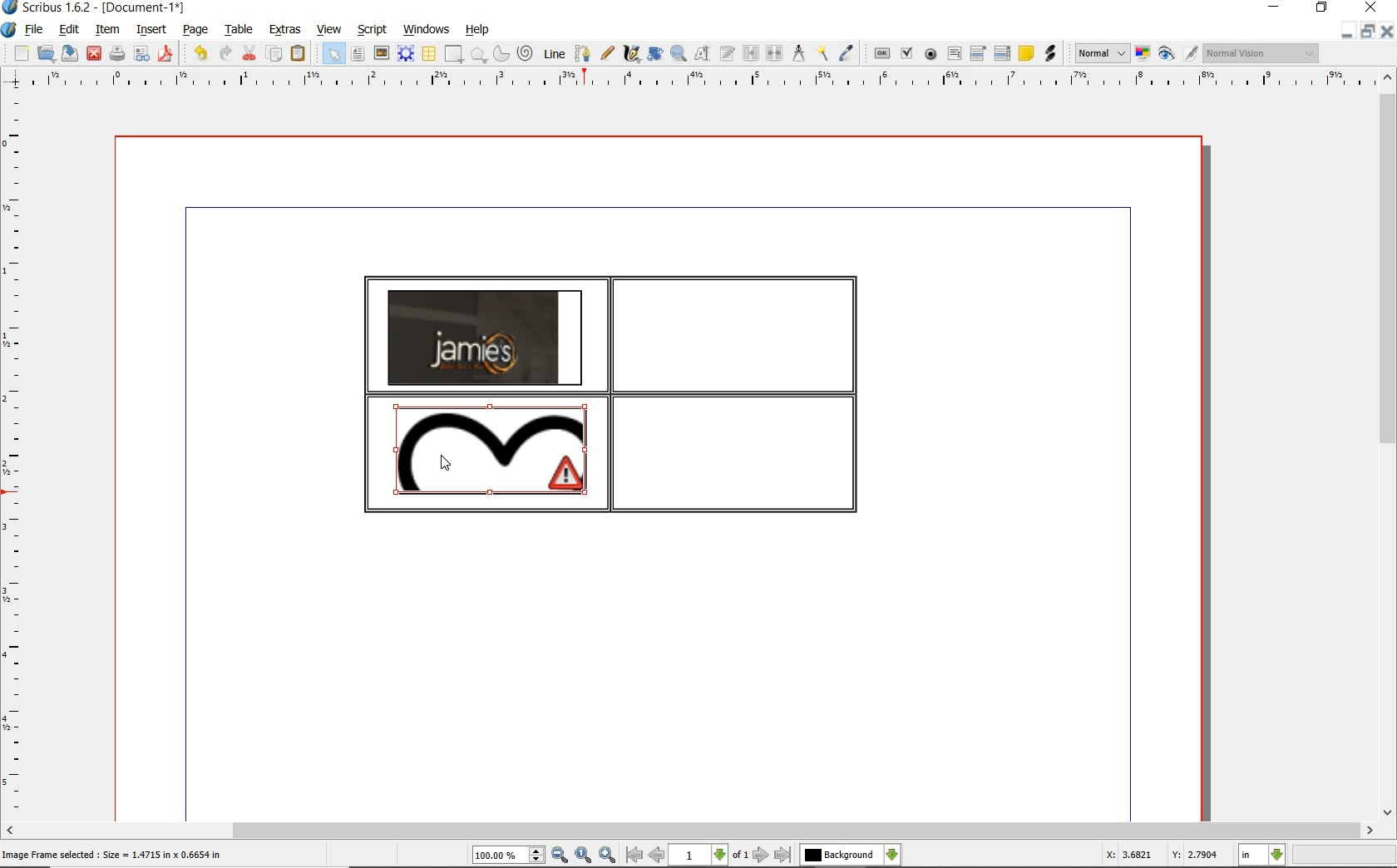  What do you see at coordinates (22, 55) in the screenshot?
I see `new` at bounding box center [22, 55].